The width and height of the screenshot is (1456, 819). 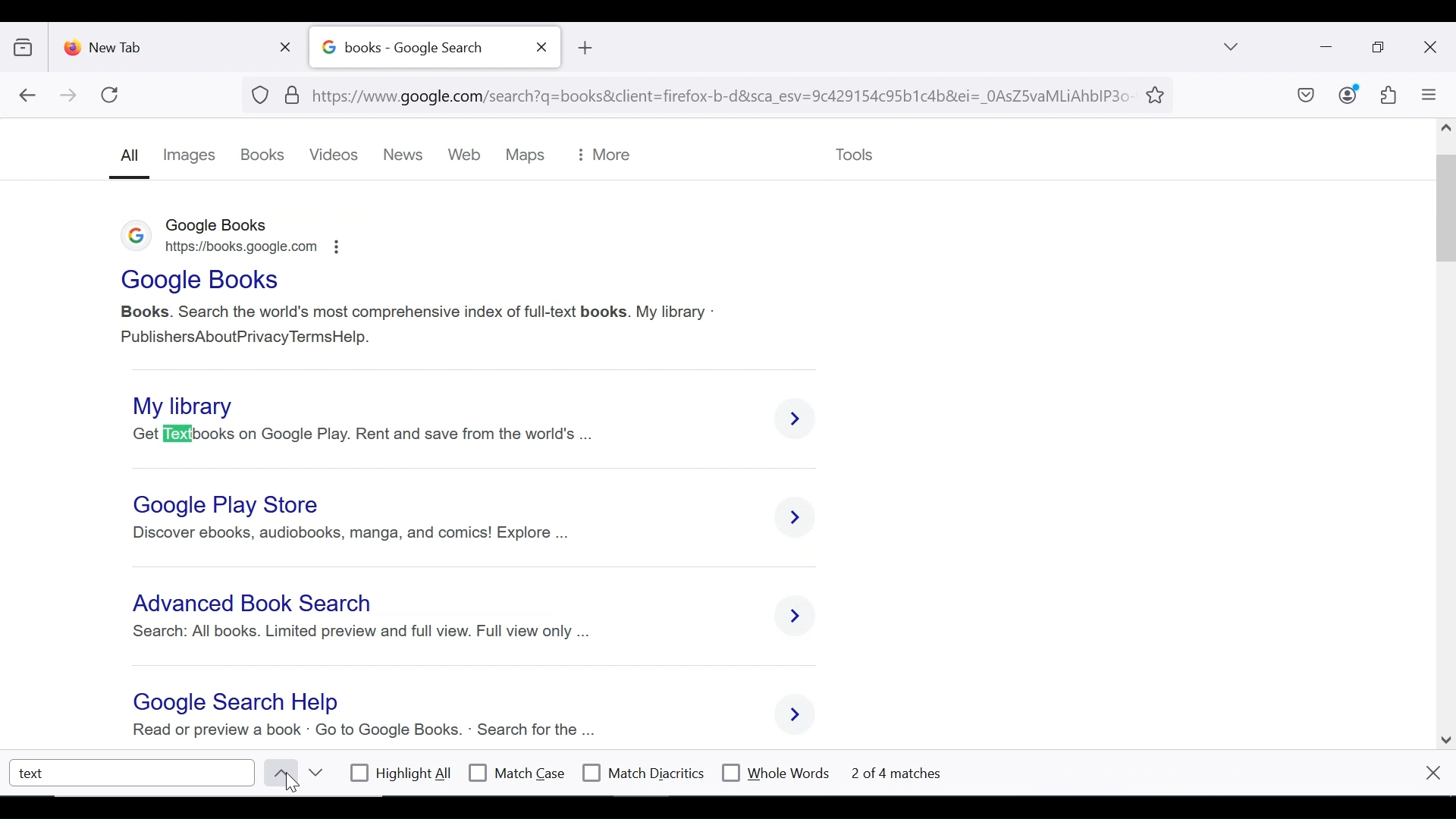 What do you see at coordinates (775, 771) in the screenshot?
I see `whole words` at bounding box center [775, 771].